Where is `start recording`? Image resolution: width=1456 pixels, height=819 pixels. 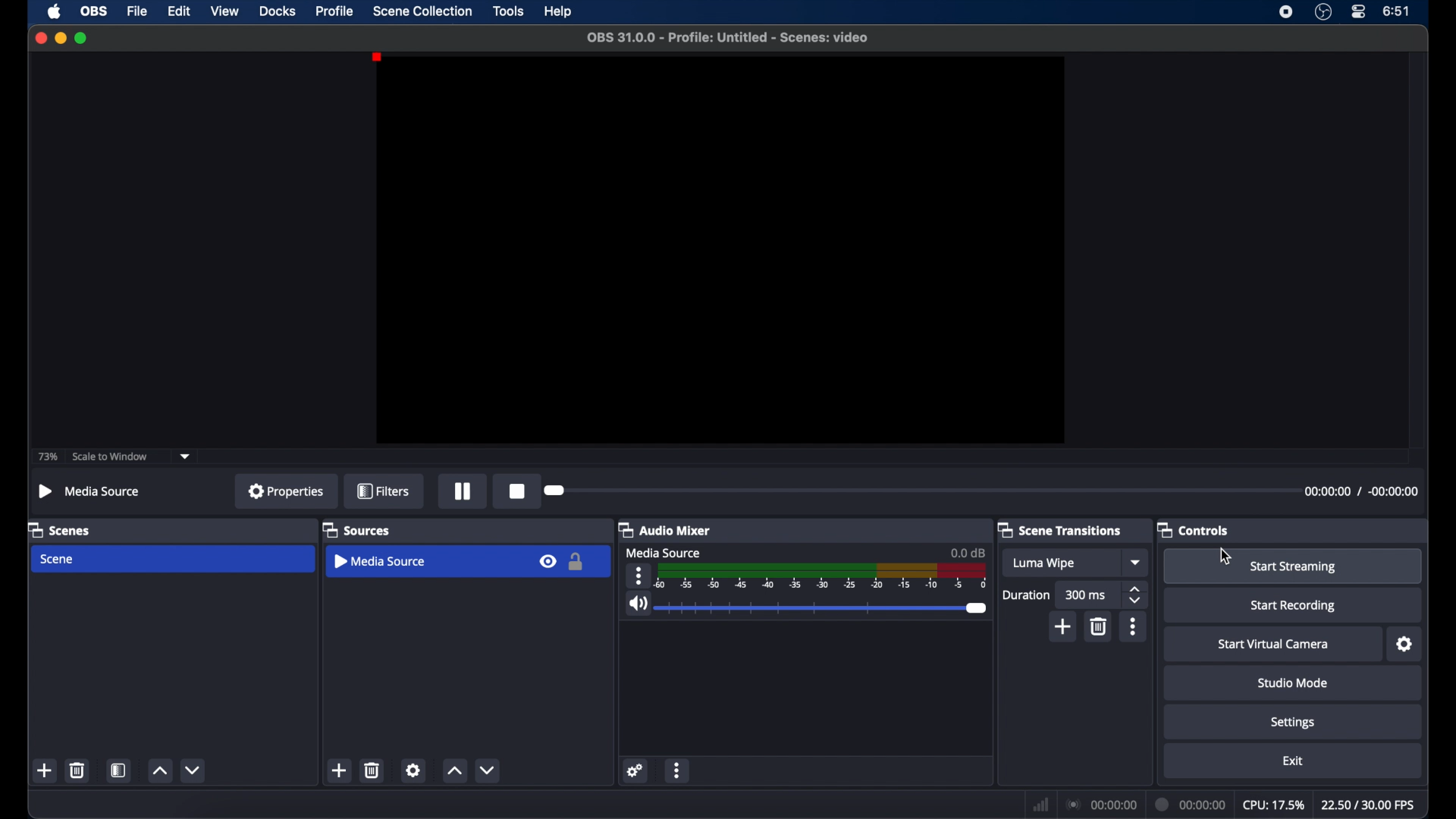
start recording is located at coordinates (1294, 606).